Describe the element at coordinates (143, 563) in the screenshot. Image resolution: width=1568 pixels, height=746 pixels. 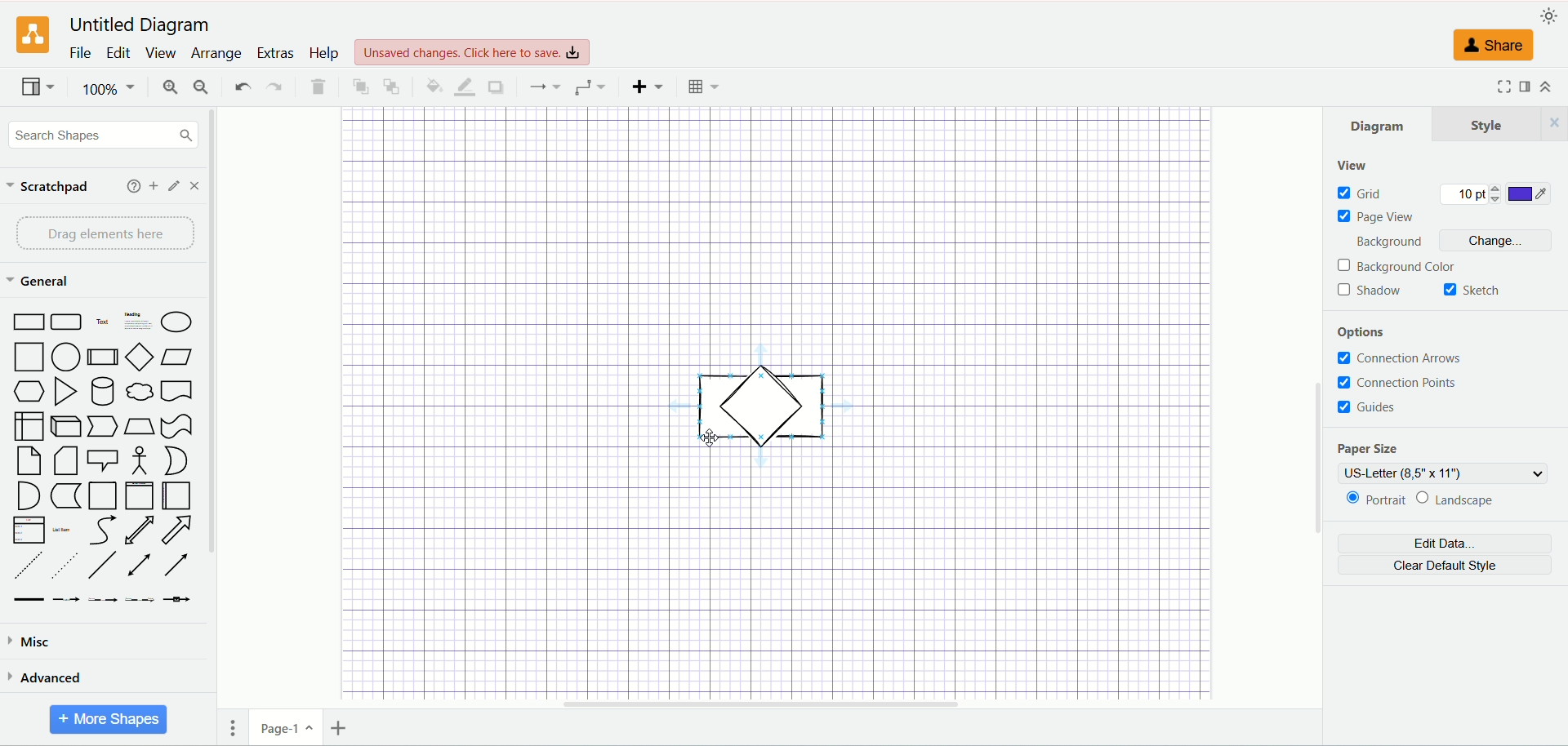
I see `bidirectional arrow` at that location.